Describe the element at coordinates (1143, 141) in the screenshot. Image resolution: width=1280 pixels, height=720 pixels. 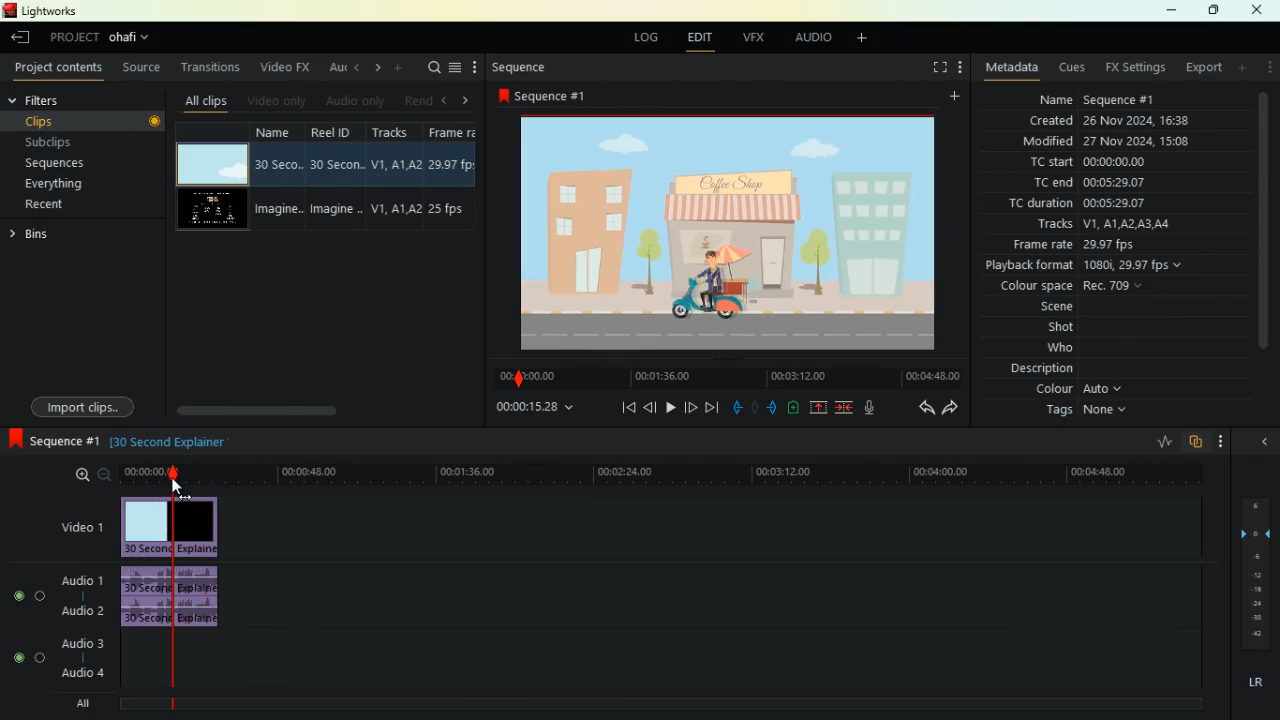
I see `27 Nov 2024, 15:07` at that location.